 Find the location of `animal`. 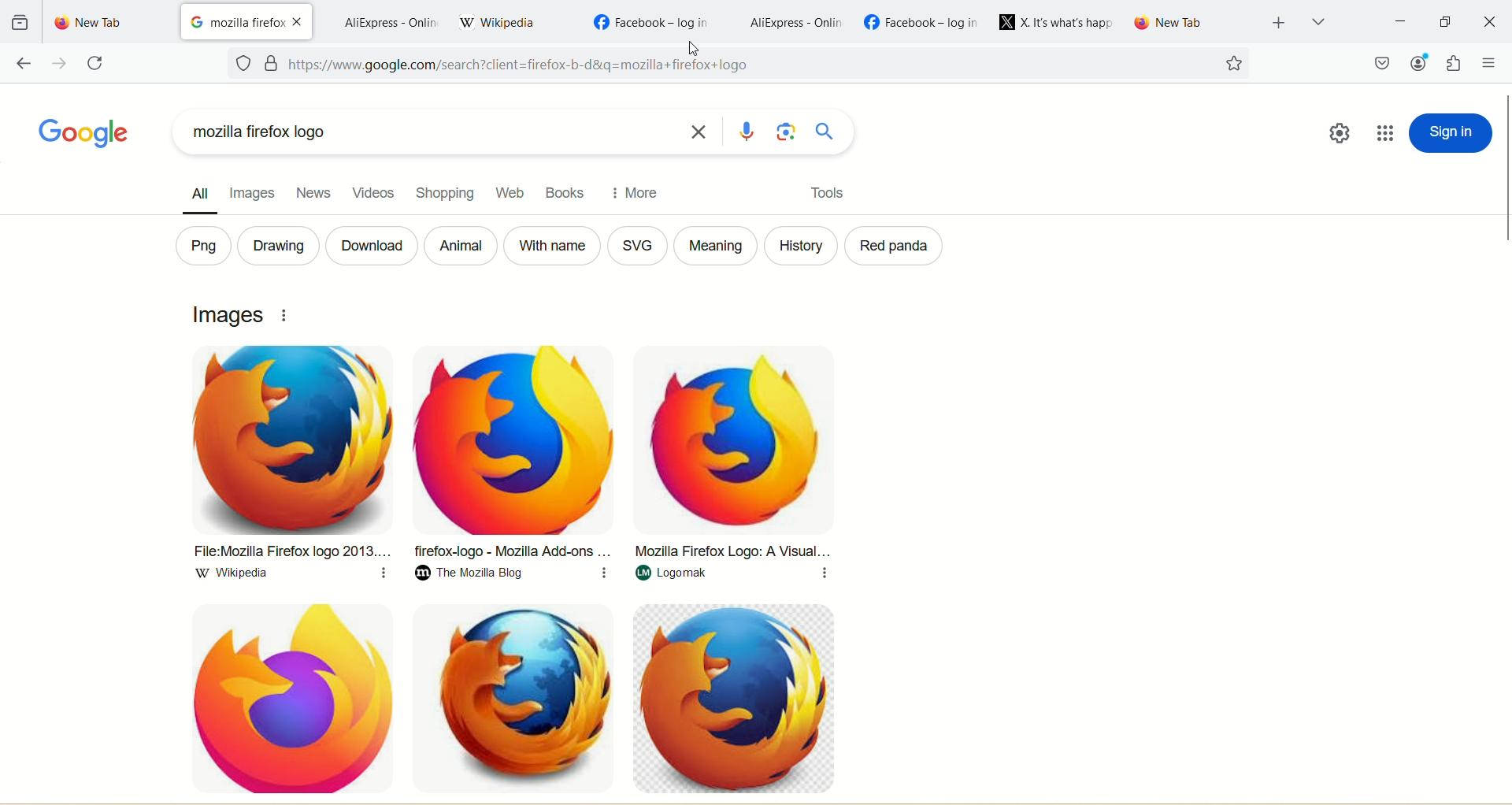

animal is located at coordinates (461, 246).